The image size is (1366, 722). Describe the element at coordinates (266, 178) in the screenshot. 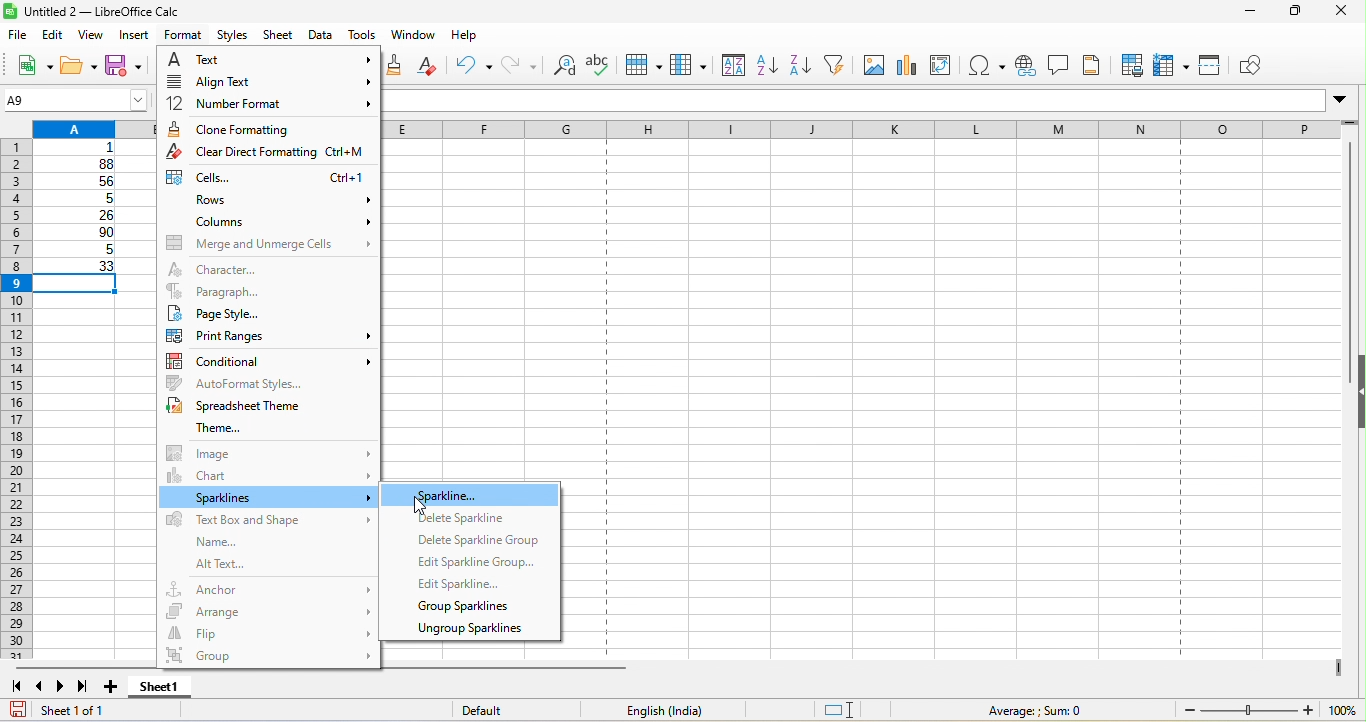

I see `cells Ctrl+1` at that location.